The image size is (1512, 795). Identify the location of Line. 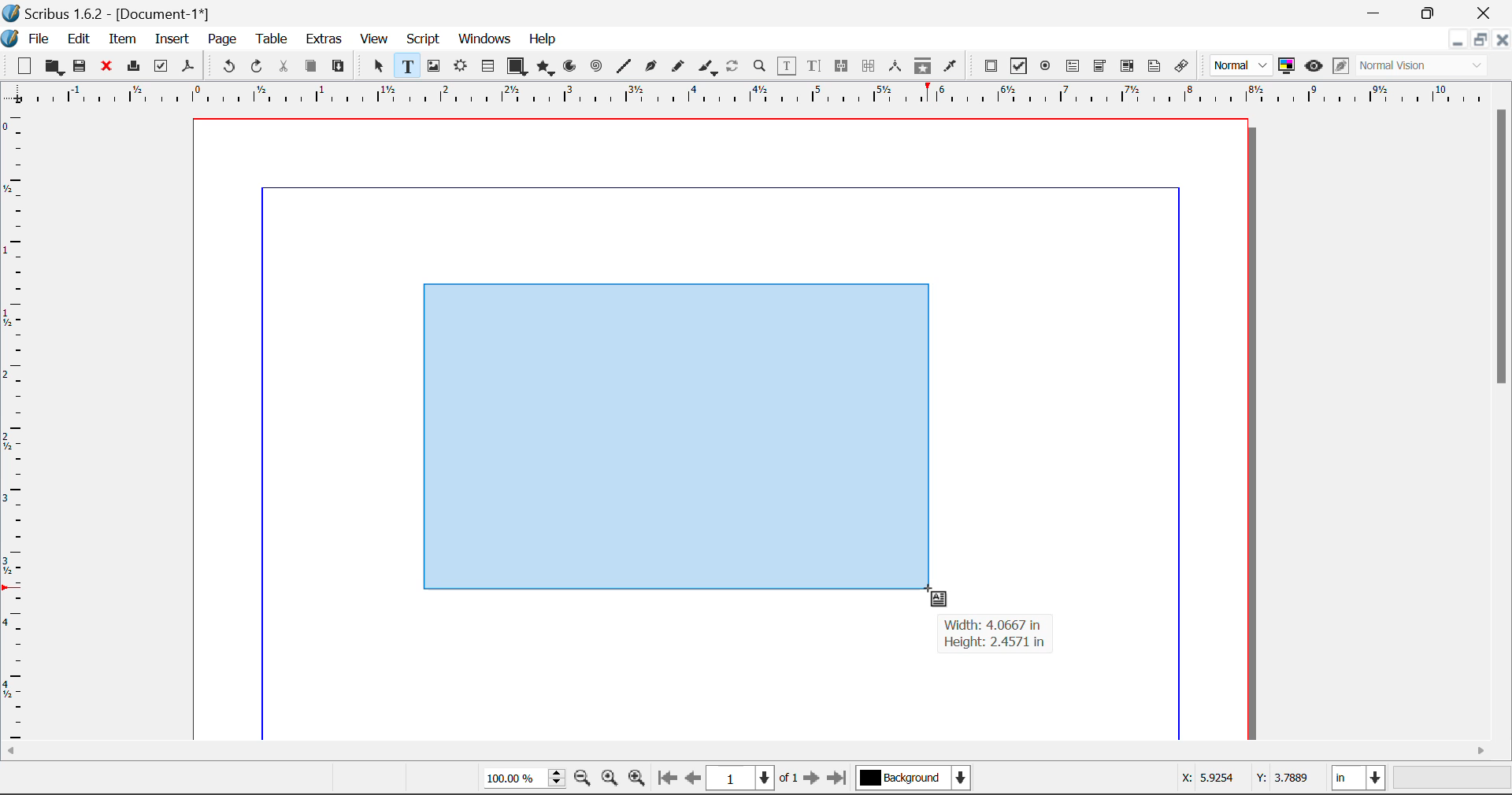
(624, 66).